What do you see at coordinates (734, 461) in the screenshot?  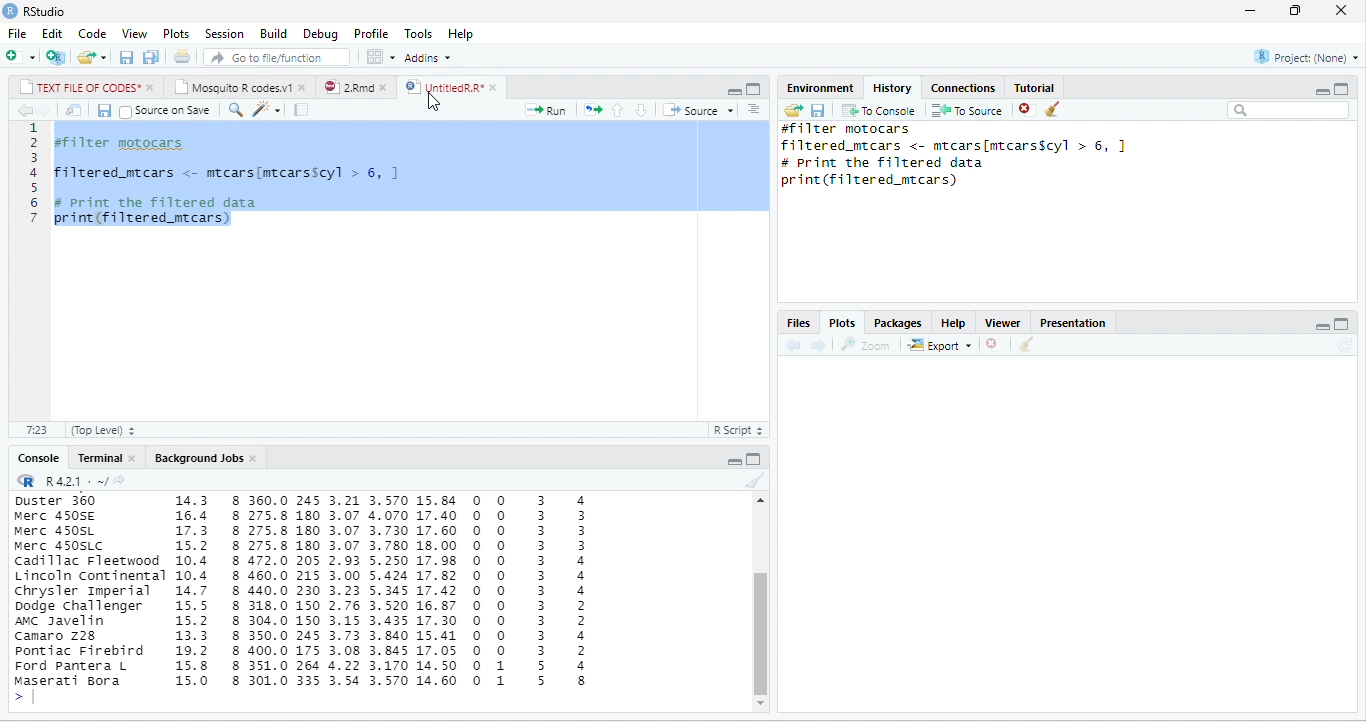 I see `minimize` at bounding box center [734, 461].